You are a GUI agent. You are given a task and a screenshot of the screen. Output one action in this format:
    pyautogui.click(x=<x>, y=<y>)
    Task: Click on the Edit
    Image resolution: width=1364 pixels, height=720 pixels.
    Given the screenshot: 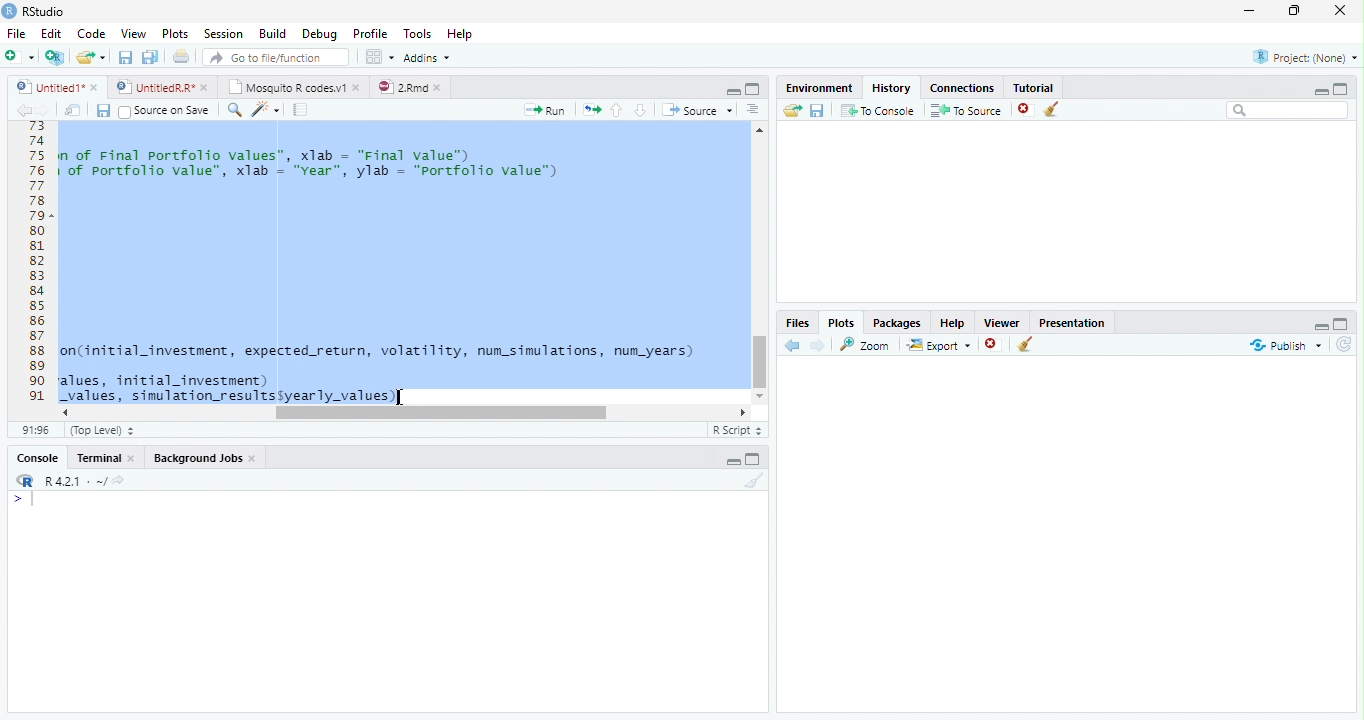 What is the action you would take?
    pyautogui.click(x=50, y=32)
    